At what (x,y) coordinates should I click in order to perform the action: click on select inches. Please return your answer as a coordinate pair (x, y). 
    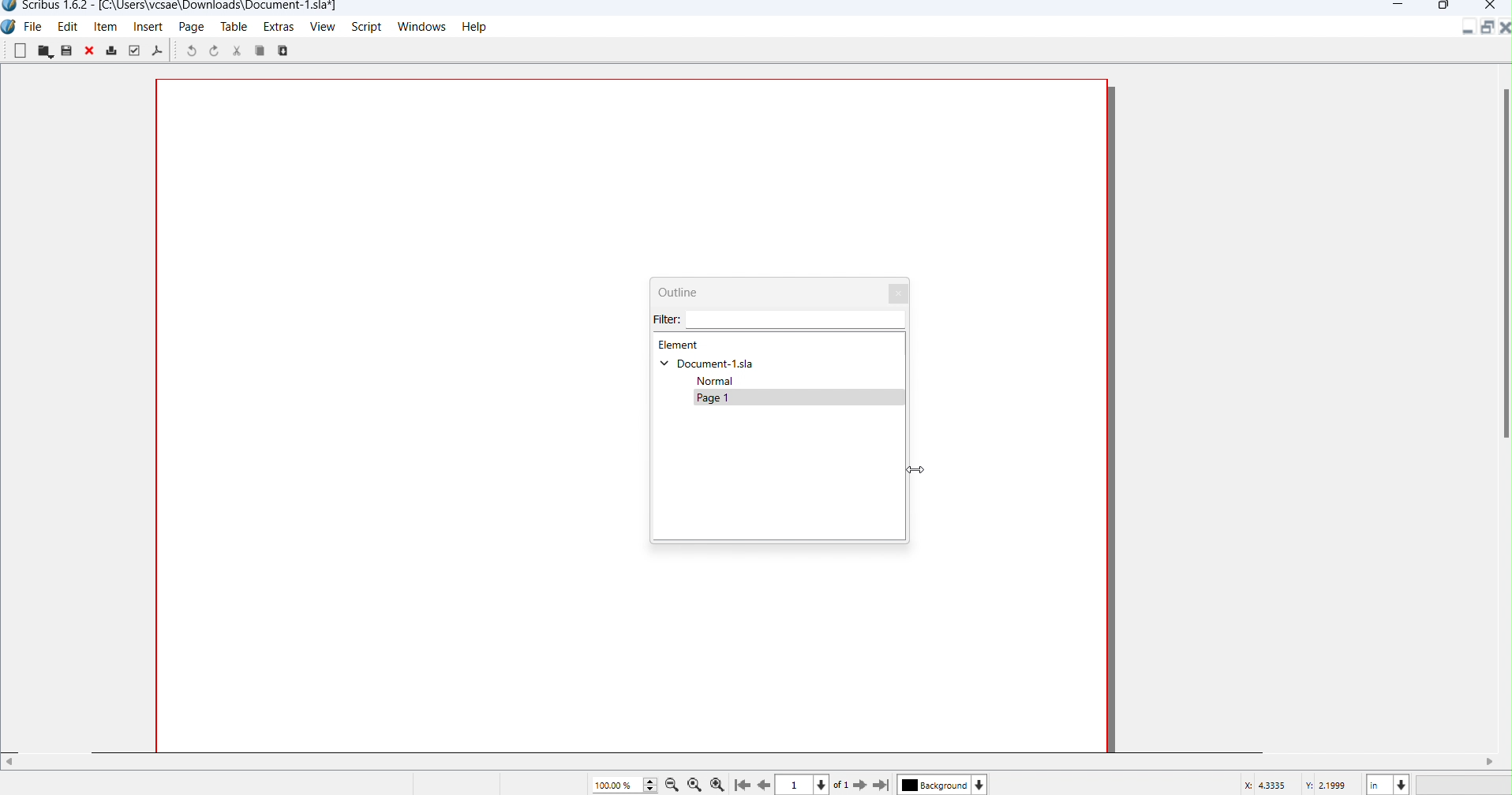
    Looking at the image, I should click on (1387, 784).